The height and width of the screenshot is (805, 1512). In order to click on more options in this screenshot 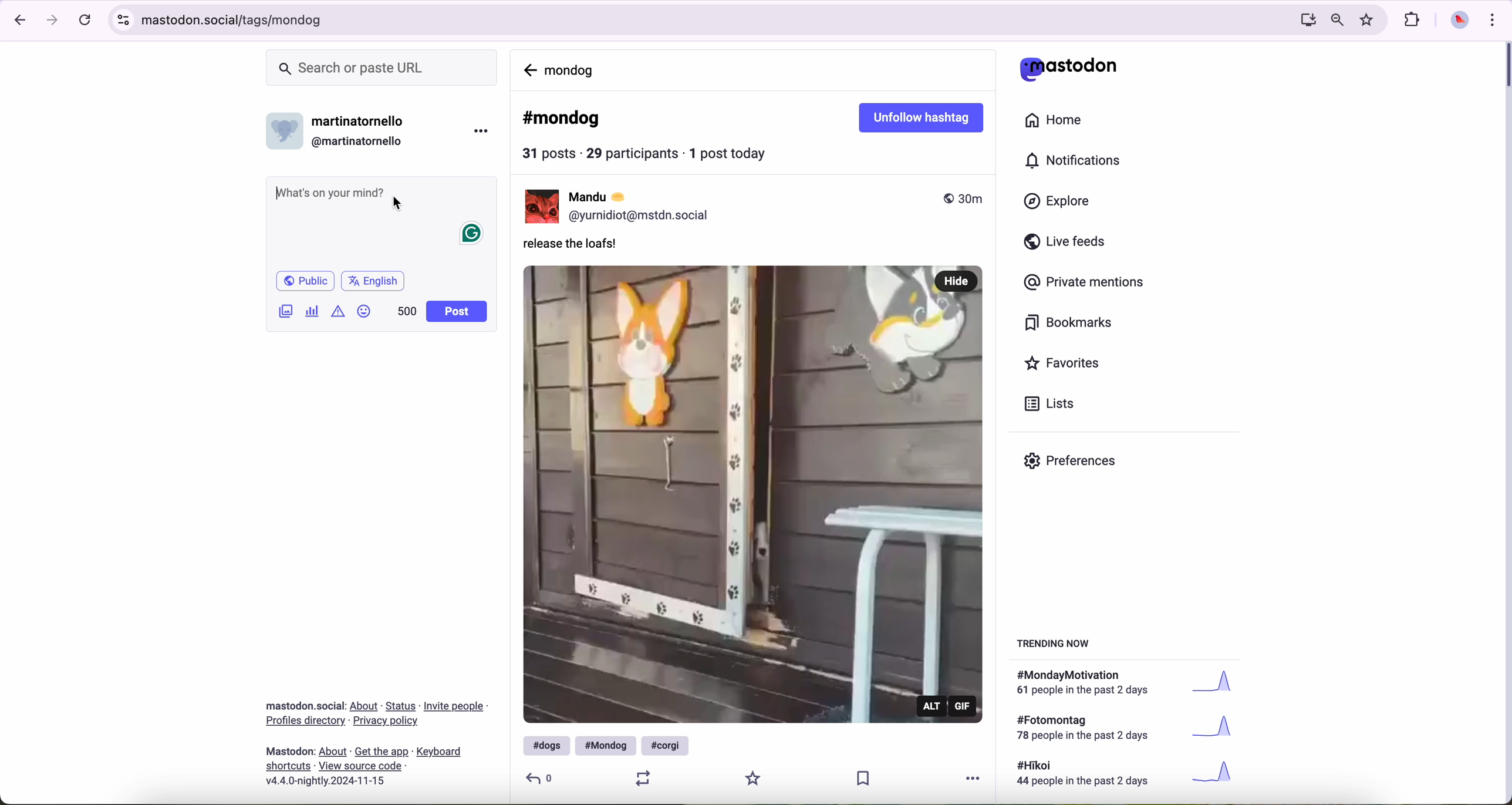, I will do `click(978, 777)`.